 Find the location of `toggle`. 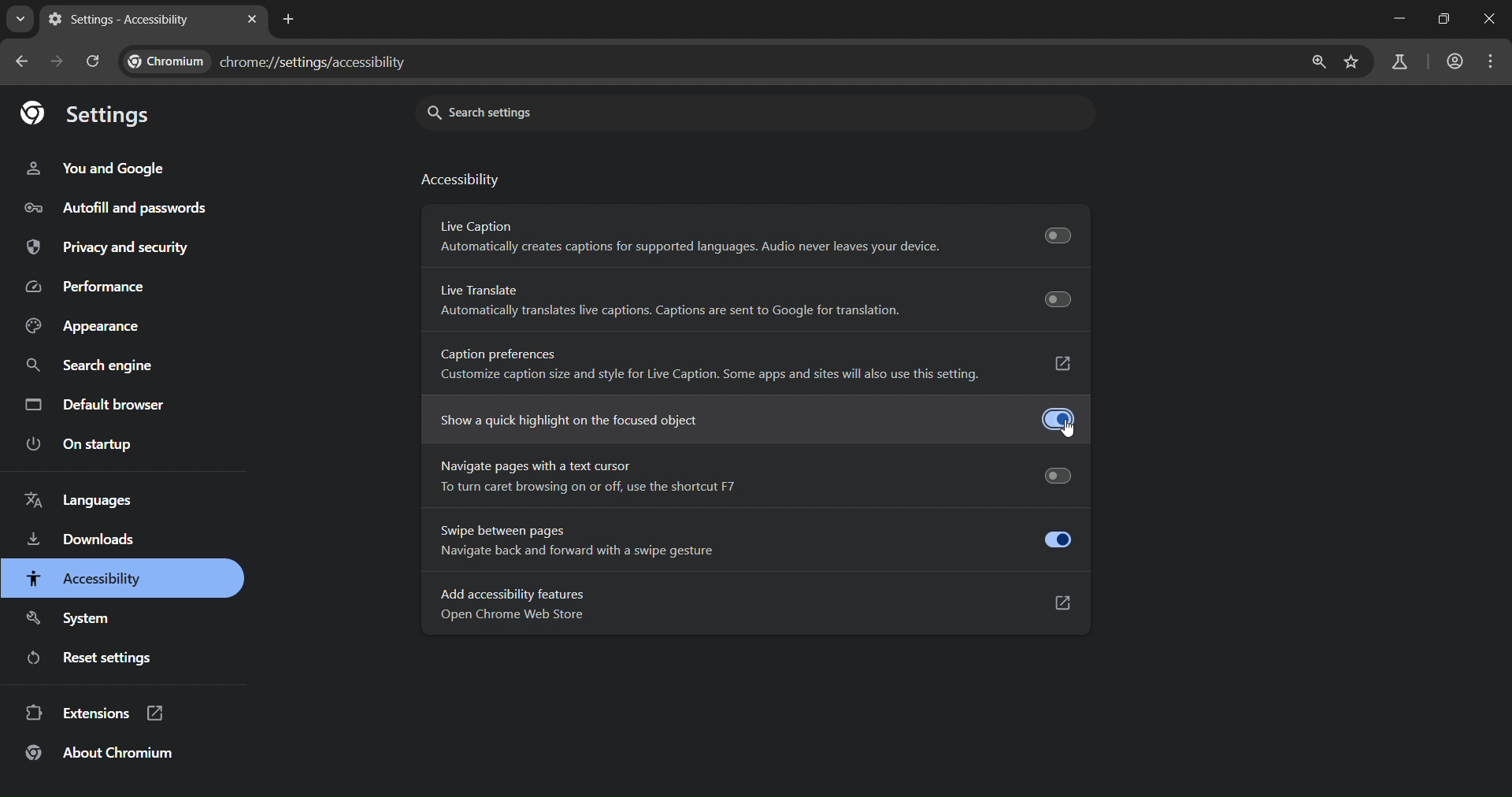

toggle is located at coordinates (1056, 475).